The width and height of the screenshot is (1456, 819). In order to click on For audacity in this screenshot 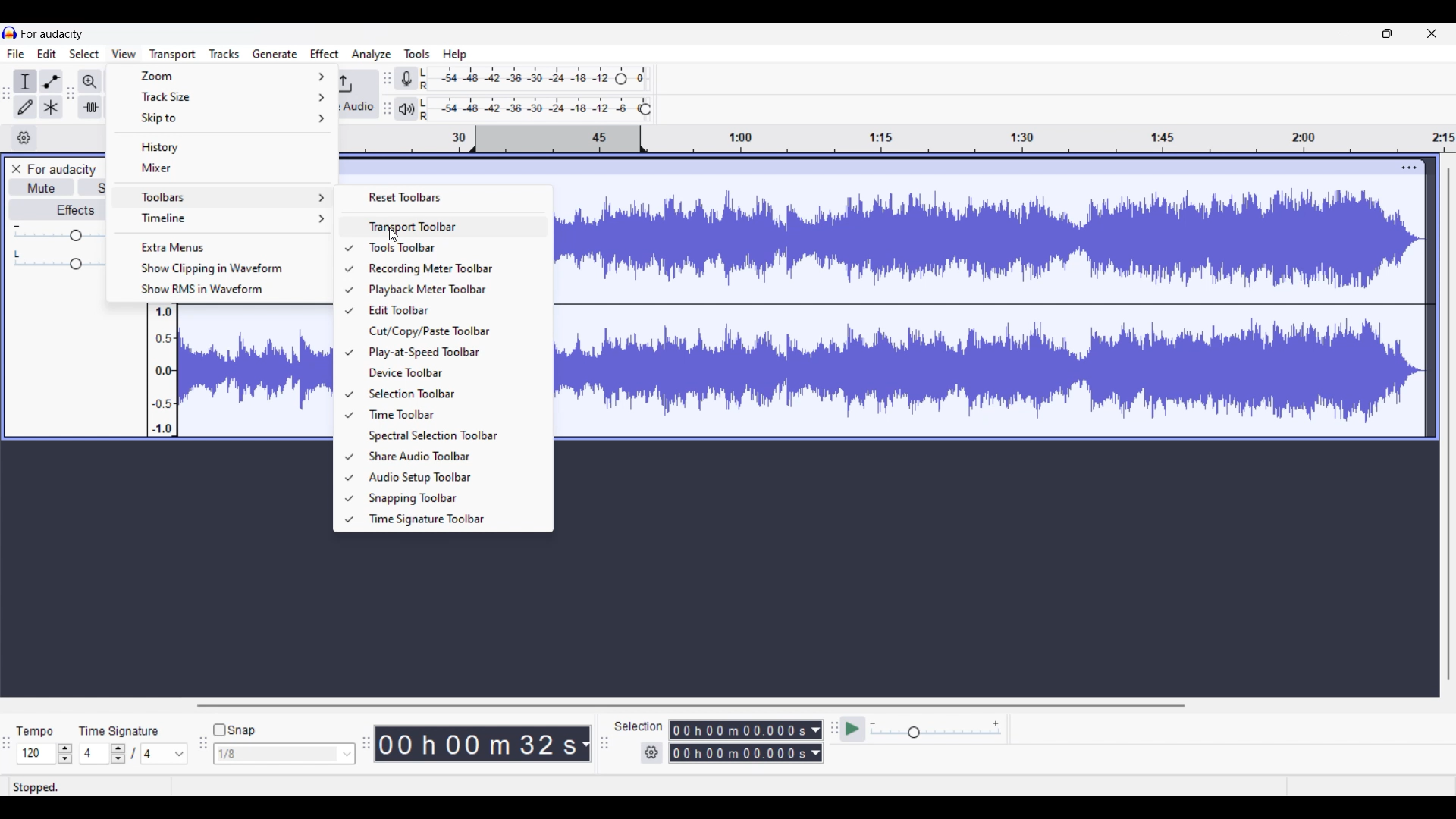, I will do `click(52, 34)`.